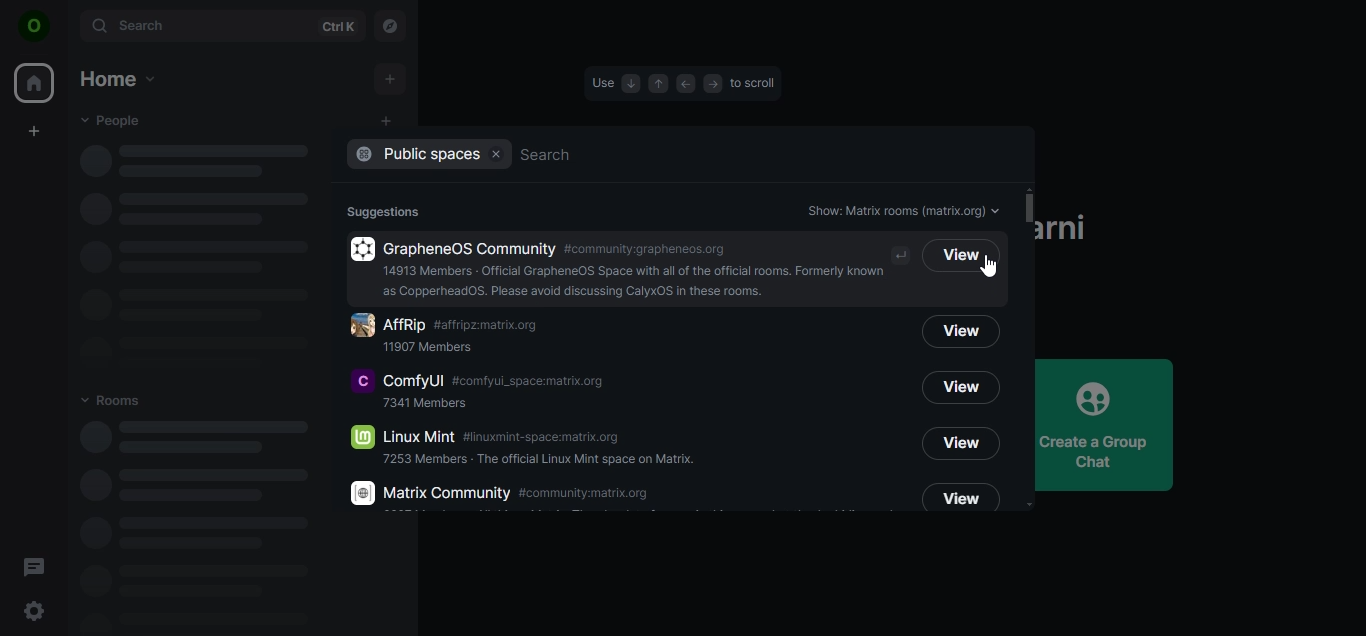 The height and width of the screenshot is (636, 1366). I want to click on start chat, so click(388, 122).